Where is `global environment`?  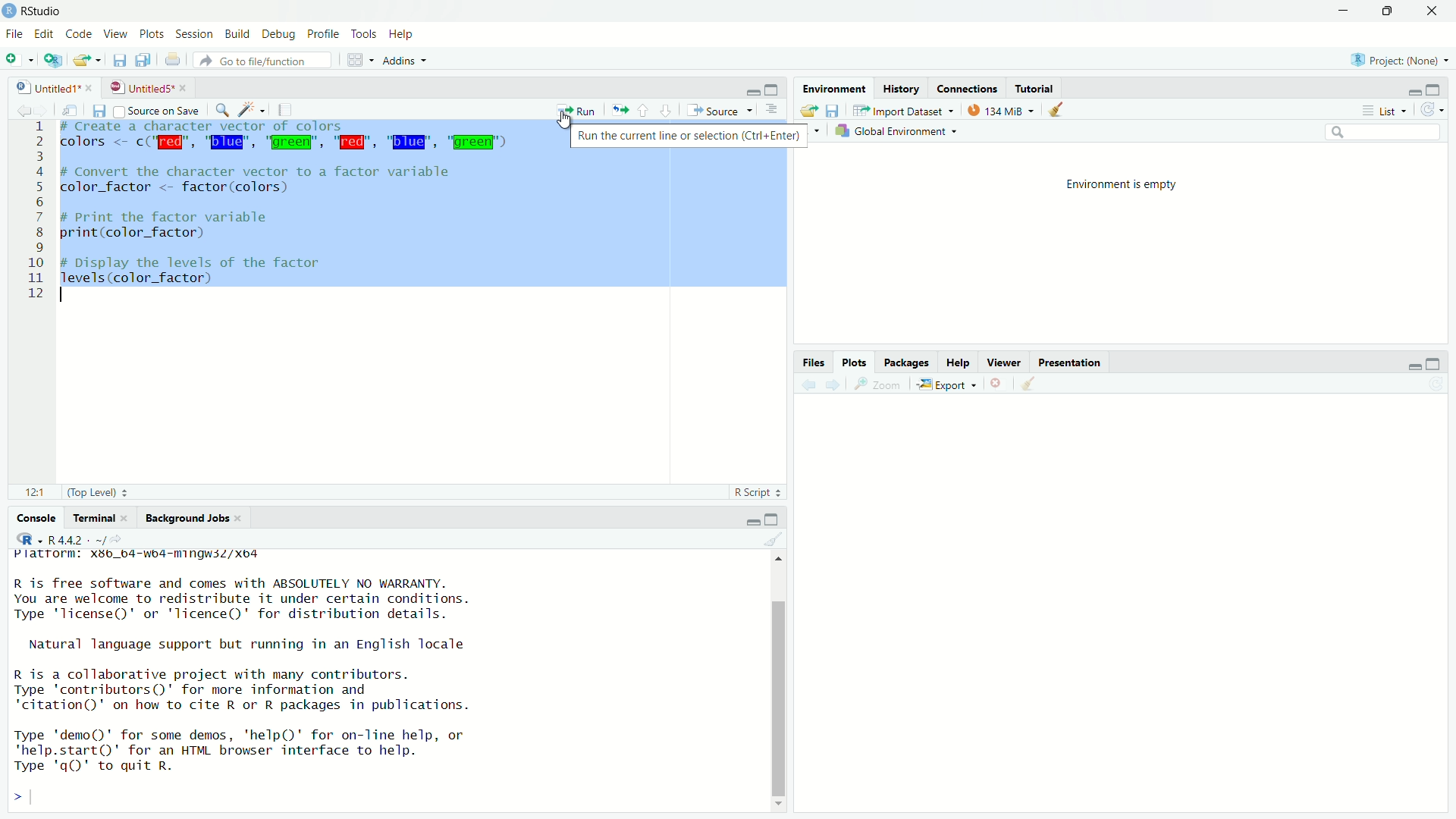 global environment is located at coordinates (901, 132).